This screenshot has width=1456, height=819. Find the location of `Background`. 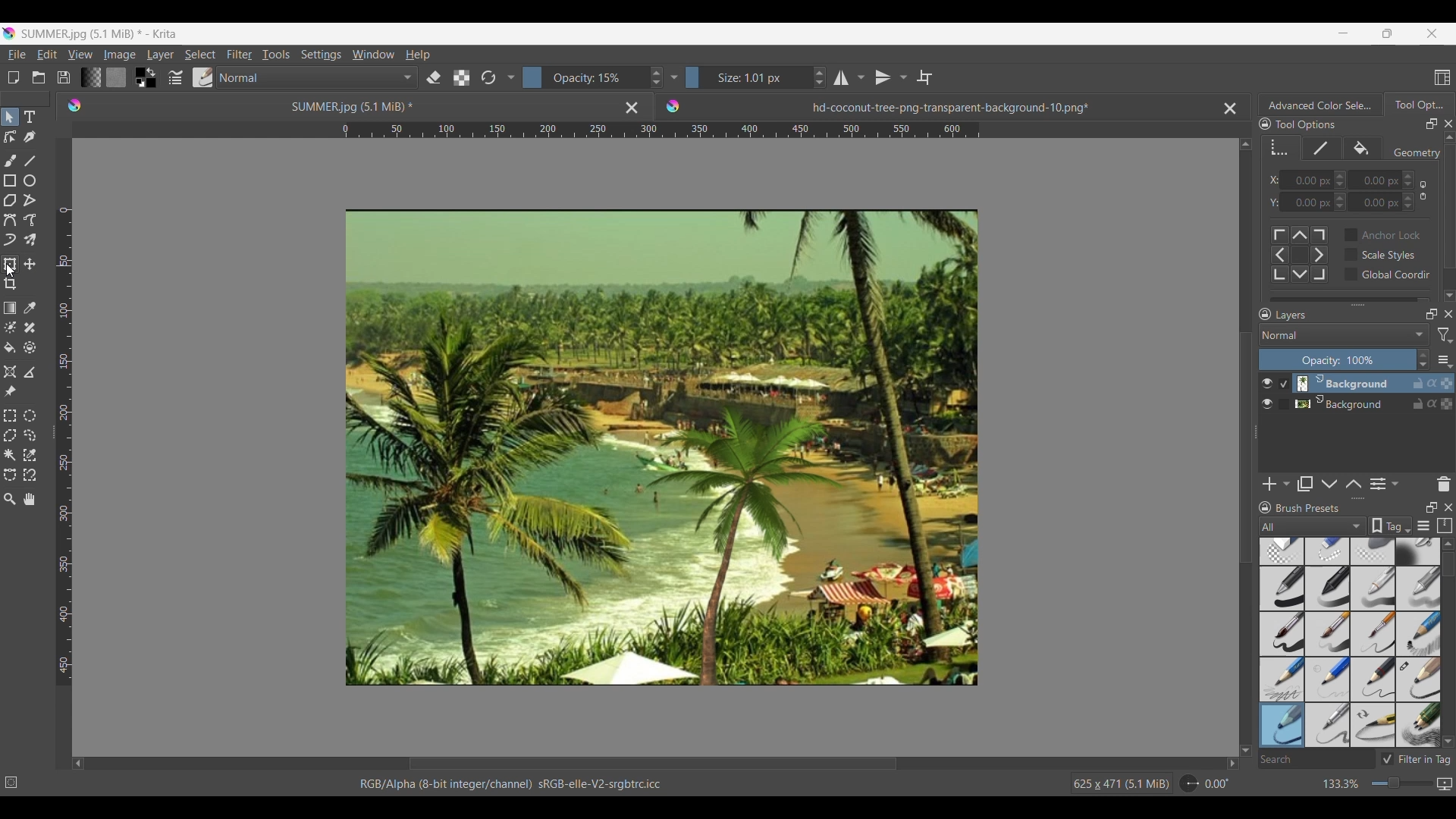

Background is located at coordinates (1345, 402).